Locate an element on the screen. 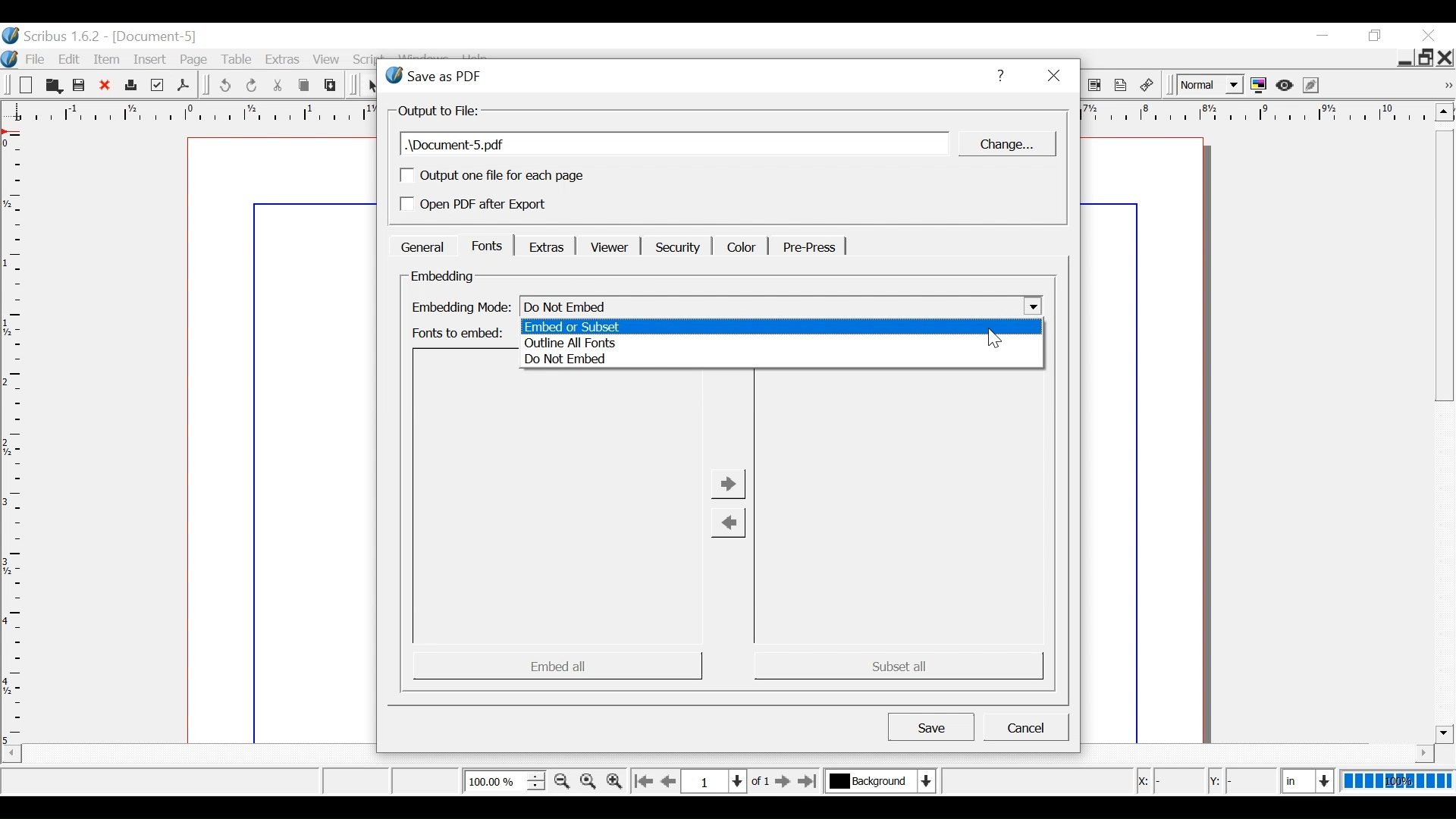 This screenshot has height=819, width=1456. Embed or subset is located at coordinates (783, 327).